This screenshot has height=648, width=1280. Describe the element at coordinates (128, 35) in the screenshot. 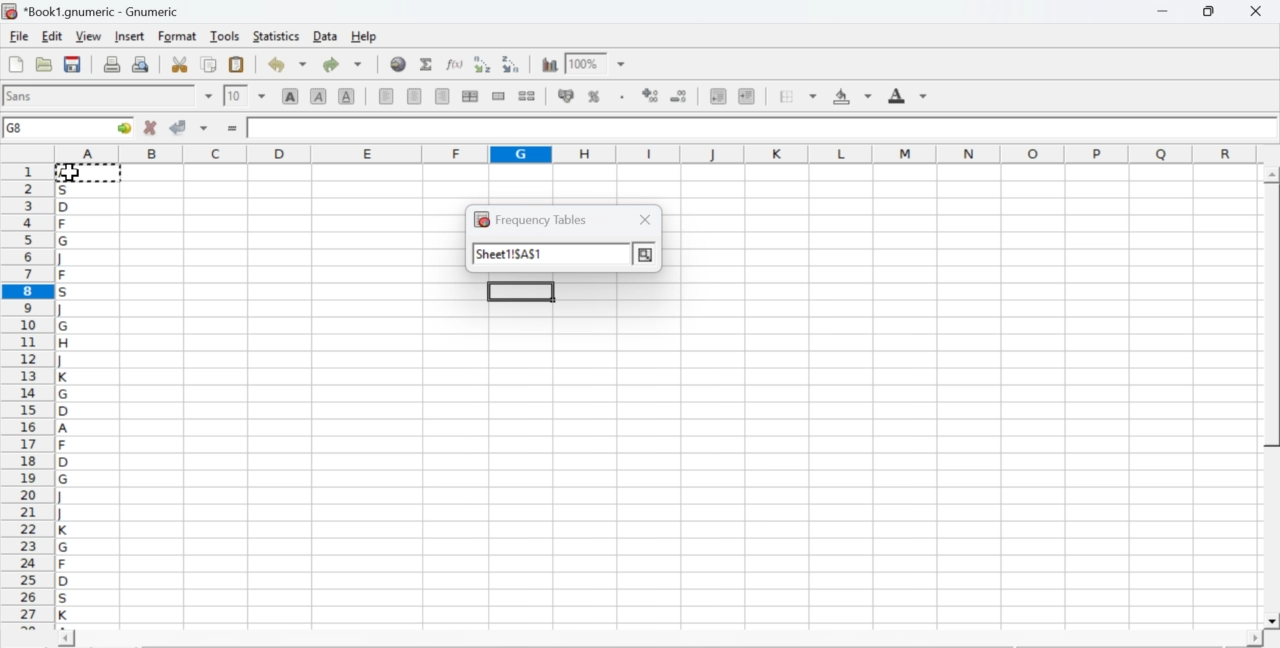

I see `insert` at that location.